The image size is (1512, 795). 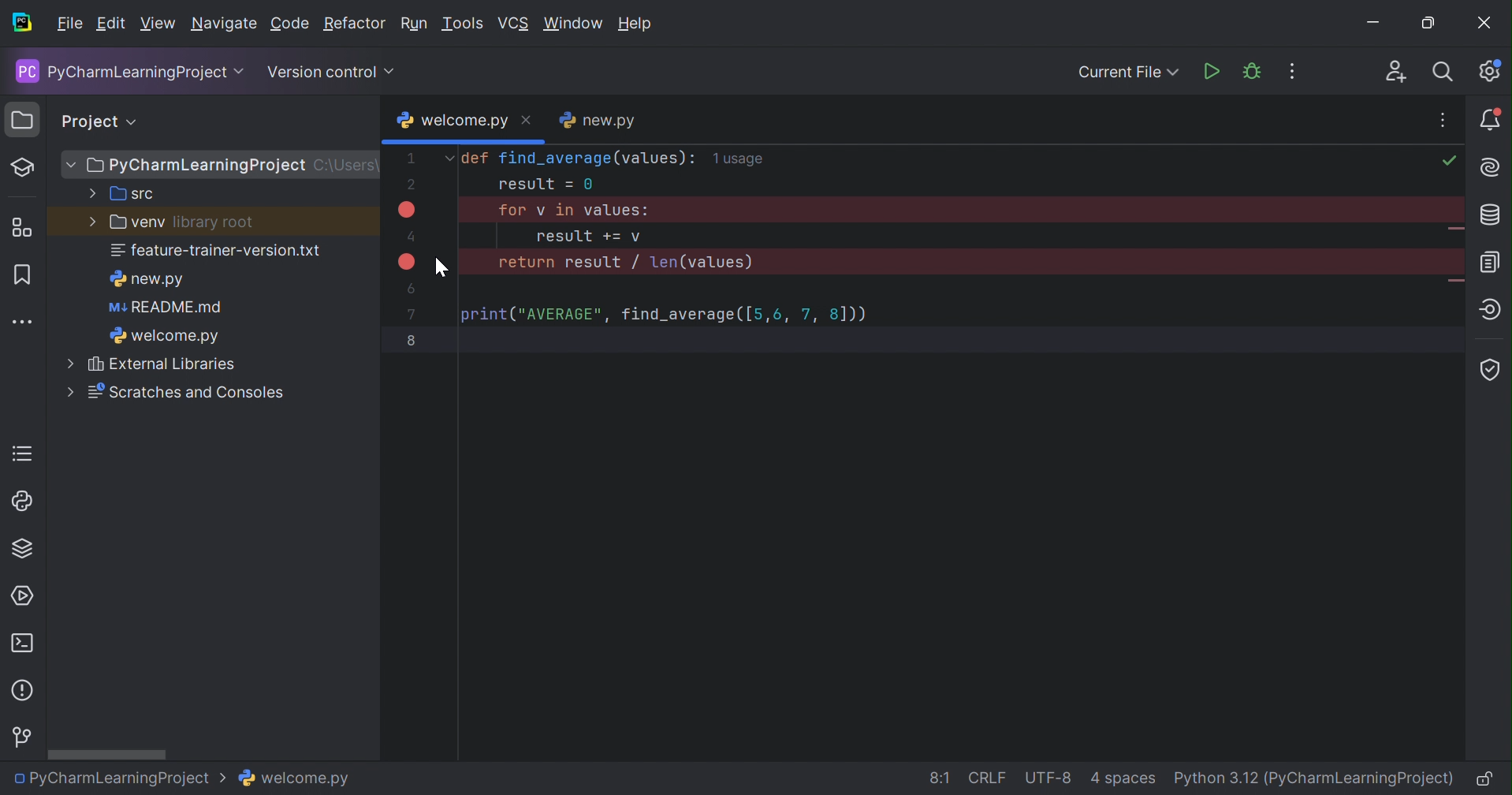 What do you see at coordinates (70, 24) in the screenshot?
I see `File` at bounding box center [70, 24].